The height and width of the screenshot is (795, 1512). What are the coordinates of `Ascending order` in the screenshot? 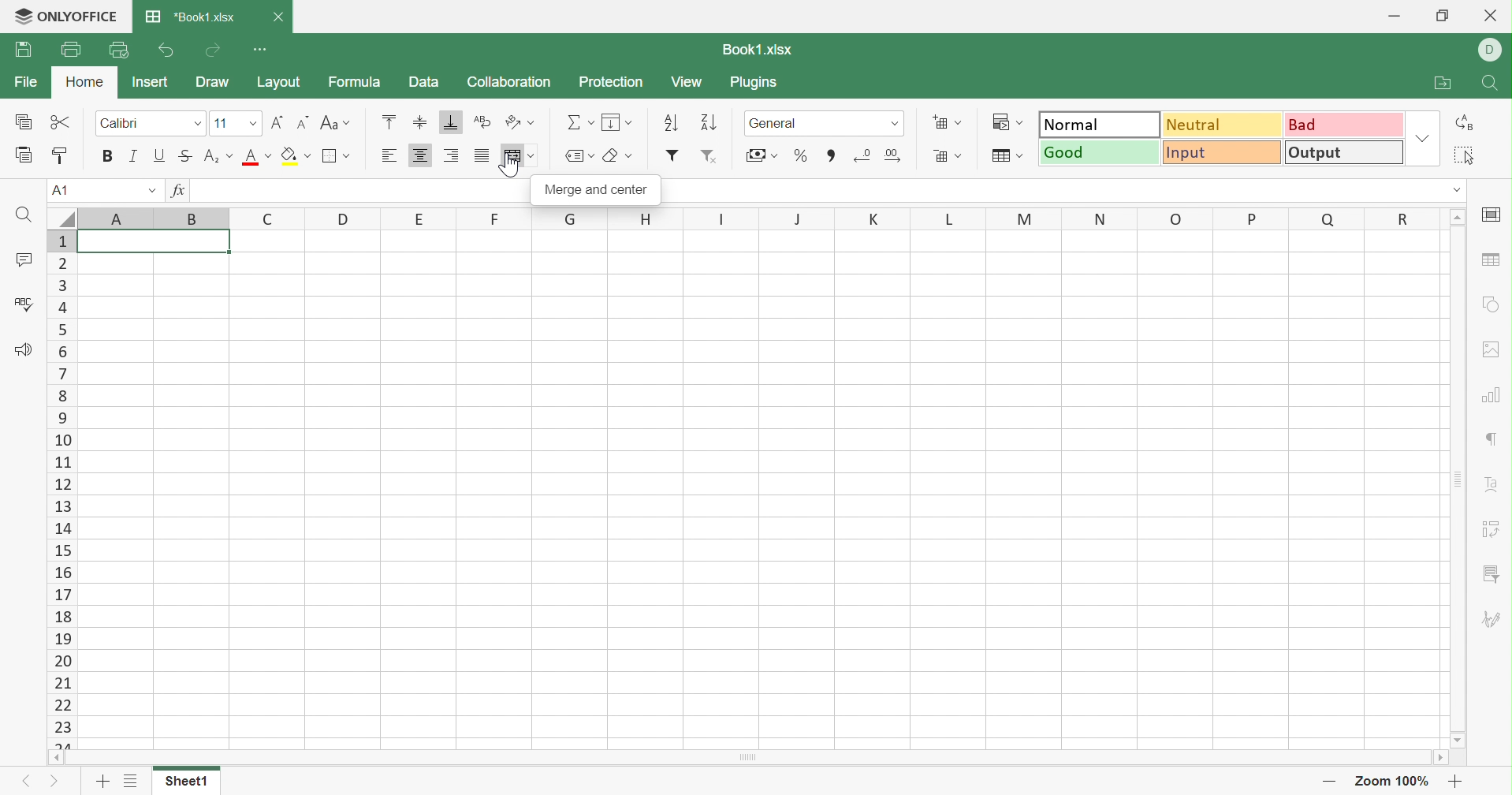 It's located at (672, 121).